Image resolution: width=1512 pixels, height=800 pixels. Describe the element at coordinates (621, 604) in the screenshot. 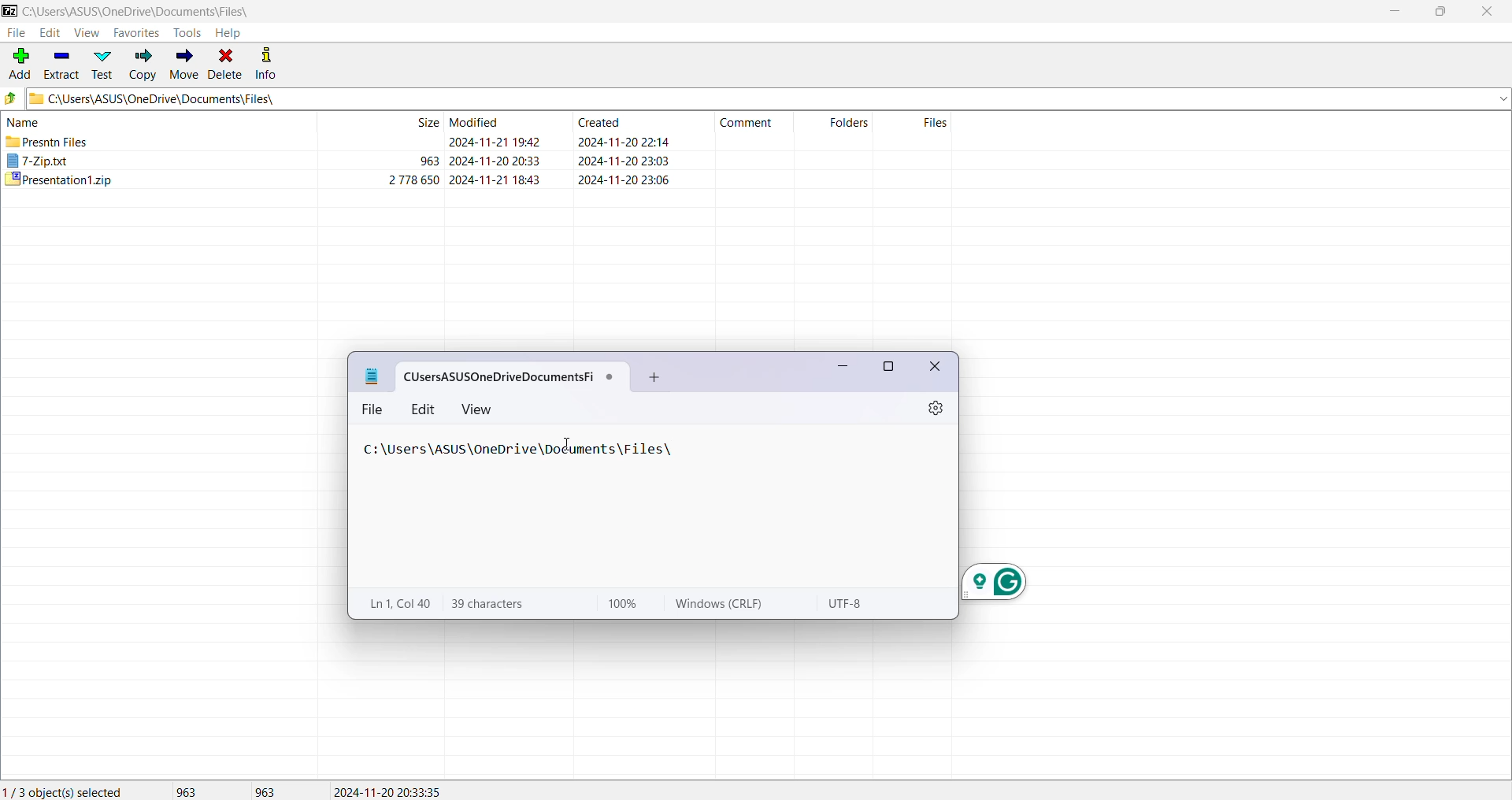

I see `100%` at that location.